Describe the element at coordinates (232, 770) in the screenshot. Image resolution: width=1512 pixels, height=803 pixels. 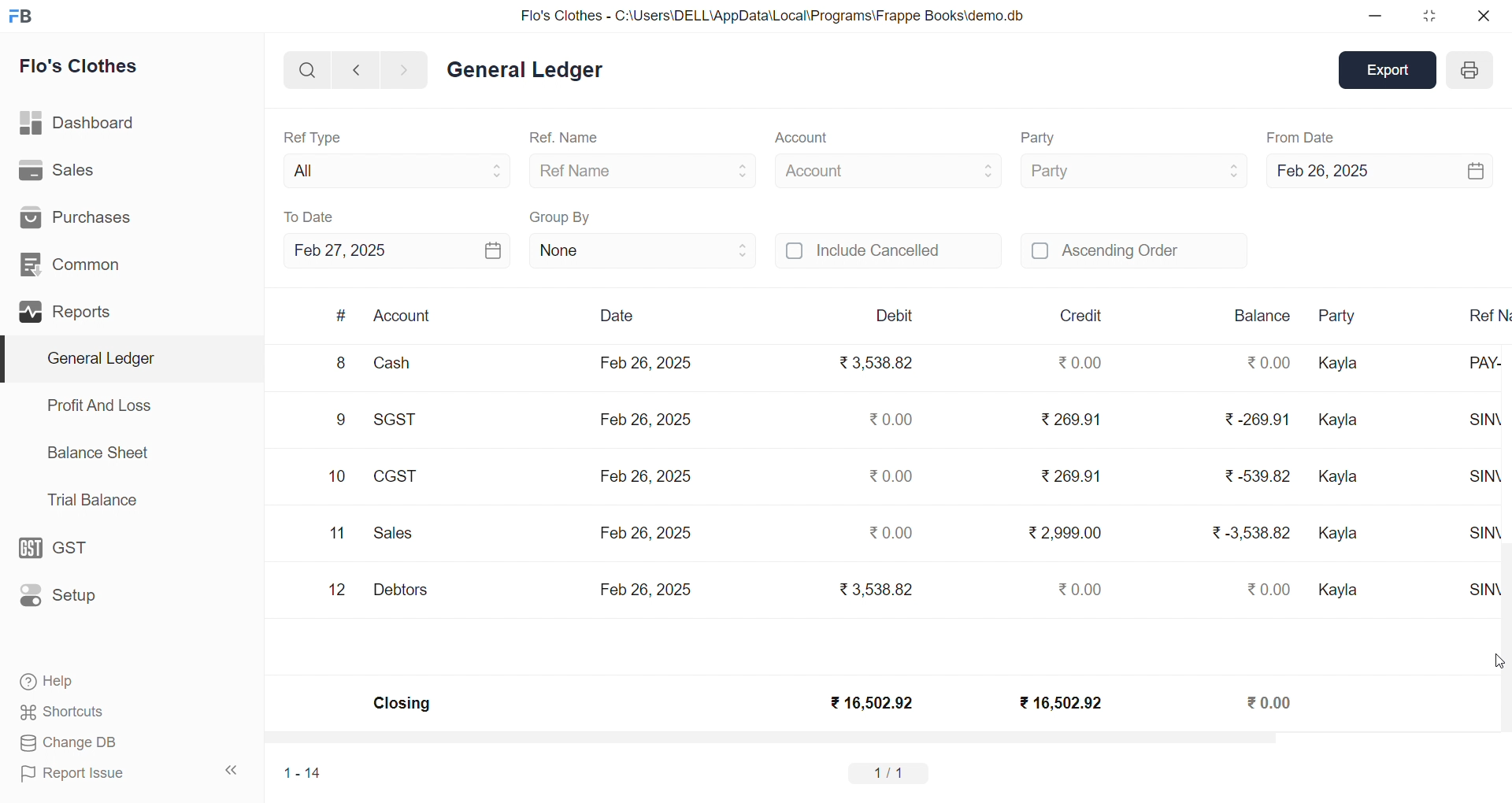
I see `COLLAPSE SIDE BAR` at that location.